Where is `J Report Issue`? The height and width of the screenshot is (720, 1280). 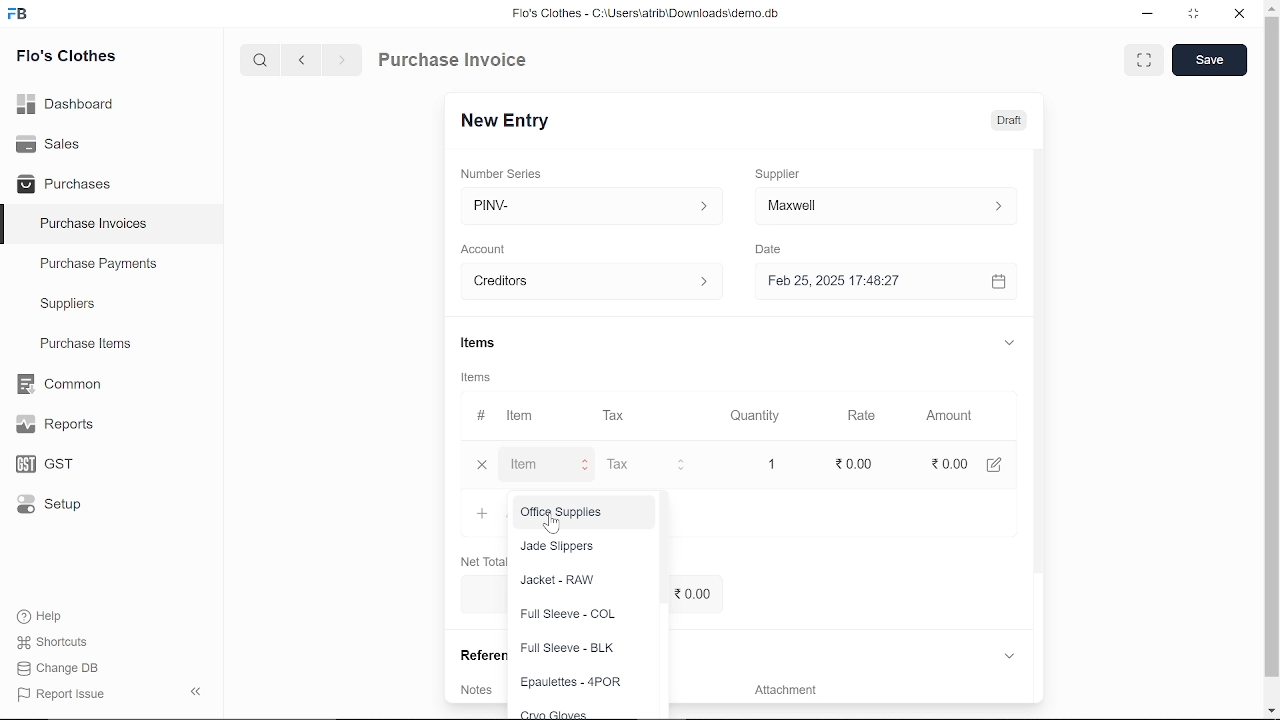
J Report Issue is located at coordinates (58, 694).